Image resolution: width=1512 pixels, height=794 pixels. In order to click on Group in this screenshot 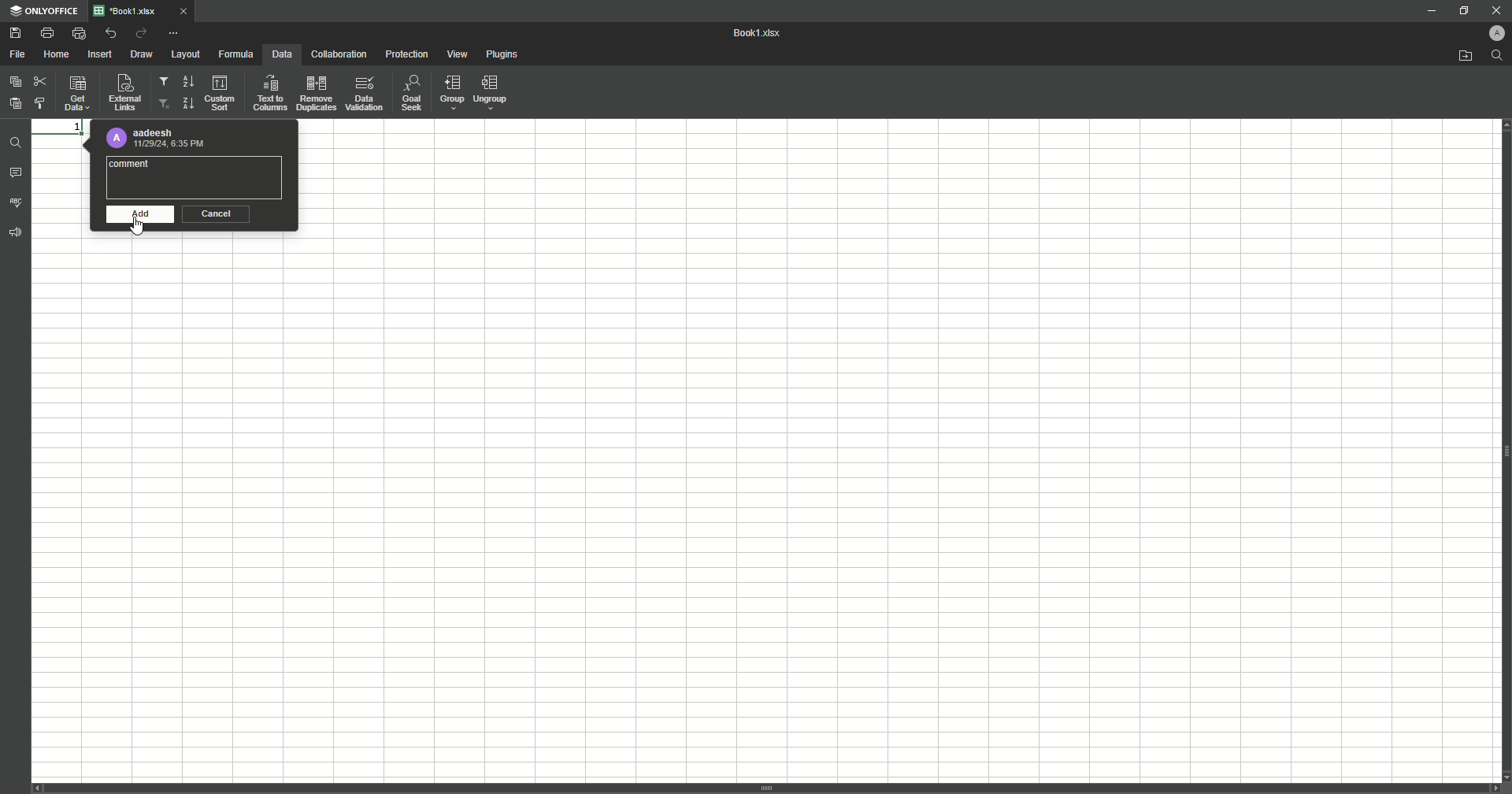, I will do `click(450, 94)`.